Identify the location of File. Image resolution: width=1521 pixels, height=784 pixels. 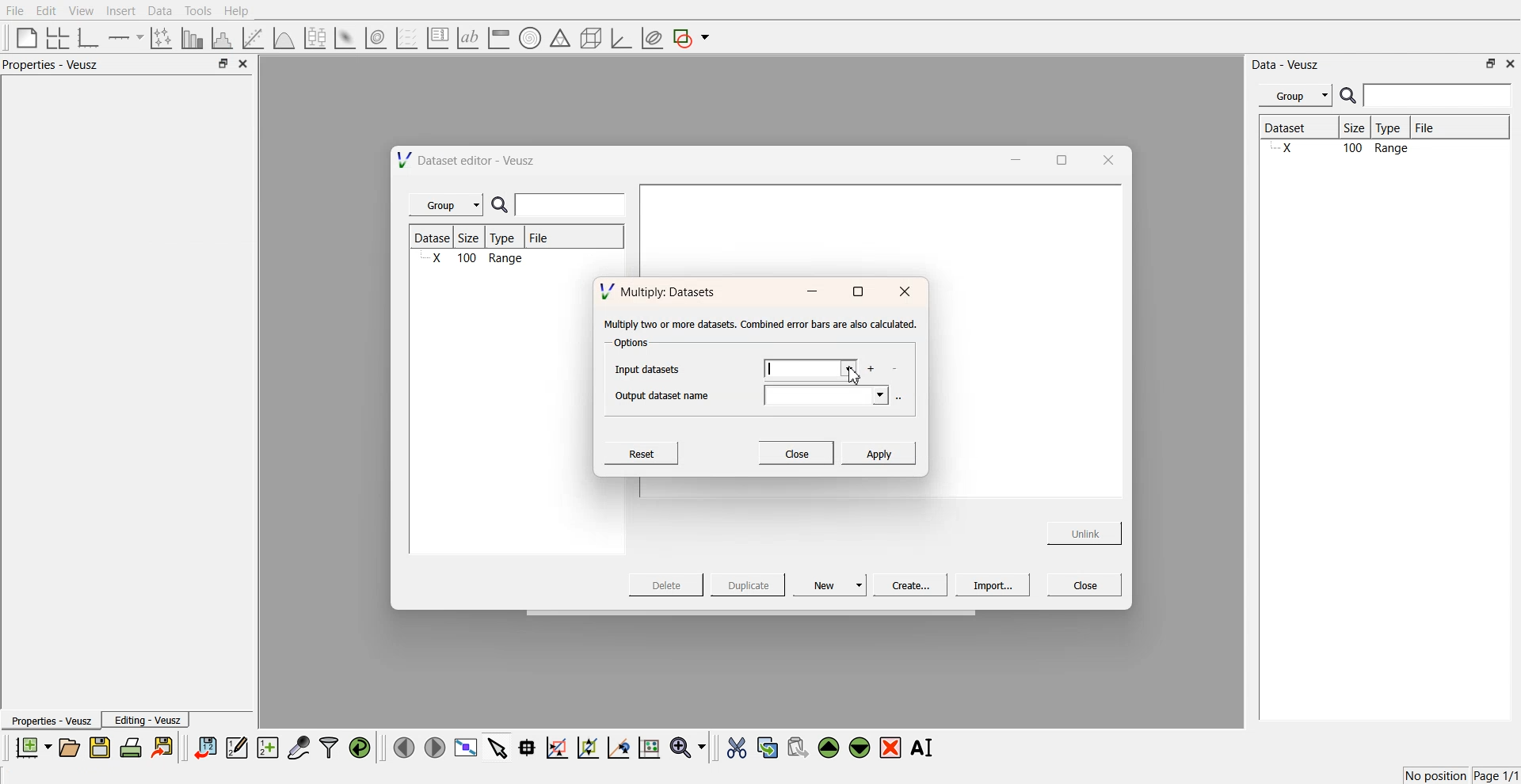
(540, 240).